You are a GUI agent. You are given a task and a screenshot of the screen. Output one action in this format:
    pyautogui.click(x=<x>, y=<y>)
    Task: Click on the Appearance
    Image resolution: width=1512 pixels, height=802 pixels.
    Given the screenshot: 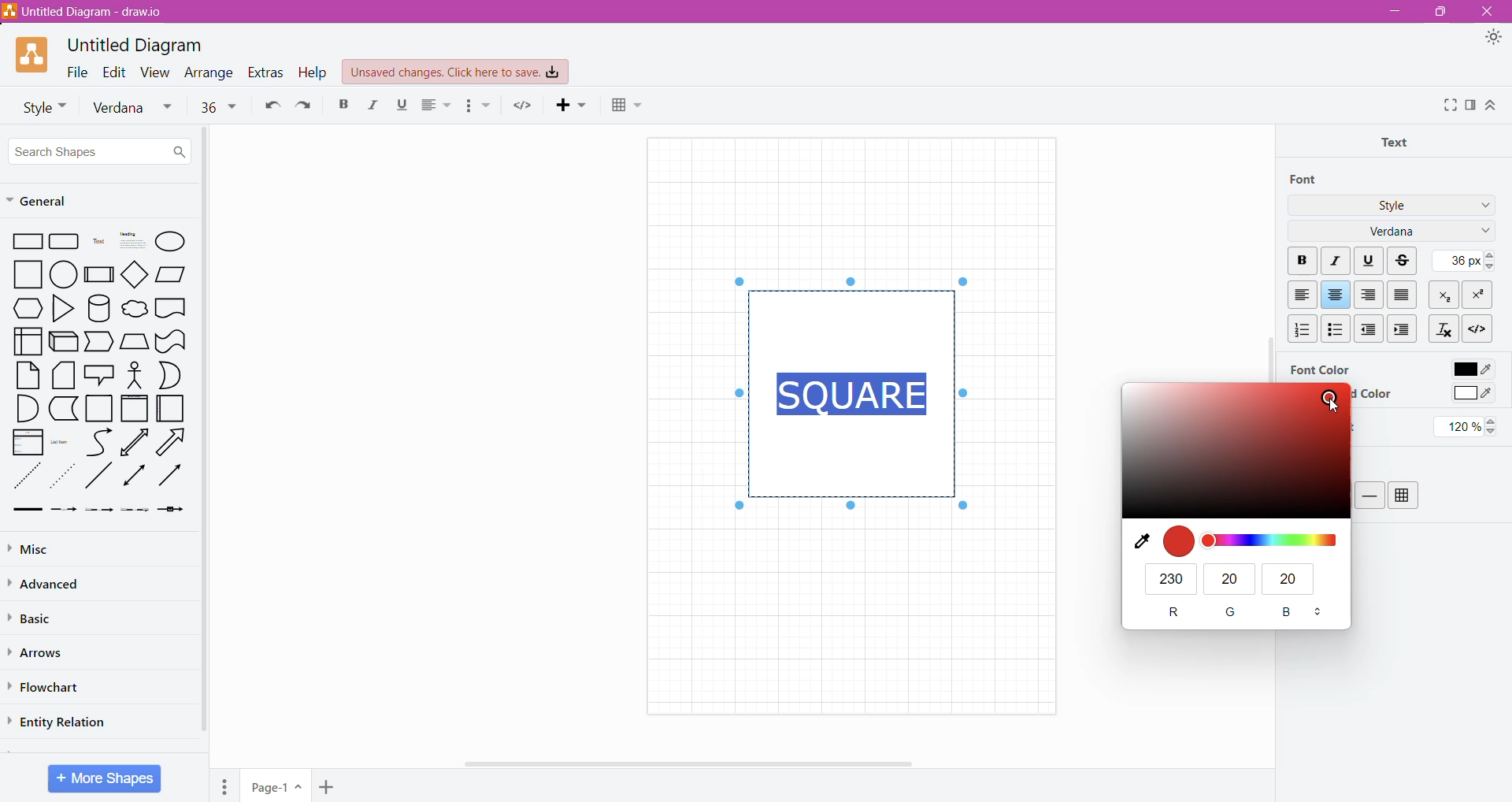 What is the action you would take?
    pyautogui.click(x=1493, y=38)
    